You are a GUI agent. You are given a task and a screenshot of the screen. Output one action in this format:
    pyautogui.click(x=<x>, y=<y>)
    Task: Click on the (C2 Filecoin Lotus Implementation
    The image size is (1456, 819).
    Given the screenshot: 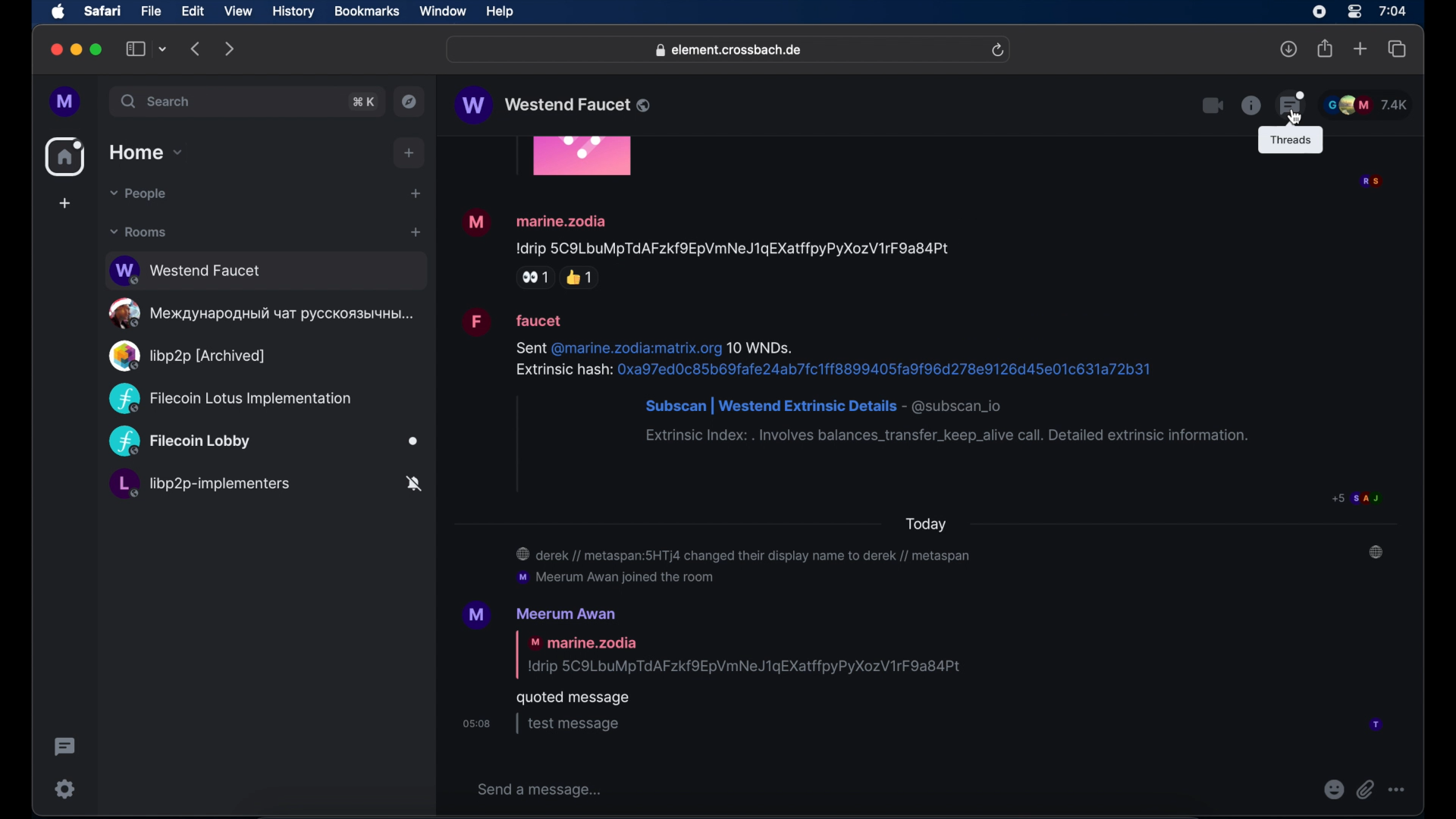 What is the action you would take?
    pyautogui.click(x=243, y=399)
    